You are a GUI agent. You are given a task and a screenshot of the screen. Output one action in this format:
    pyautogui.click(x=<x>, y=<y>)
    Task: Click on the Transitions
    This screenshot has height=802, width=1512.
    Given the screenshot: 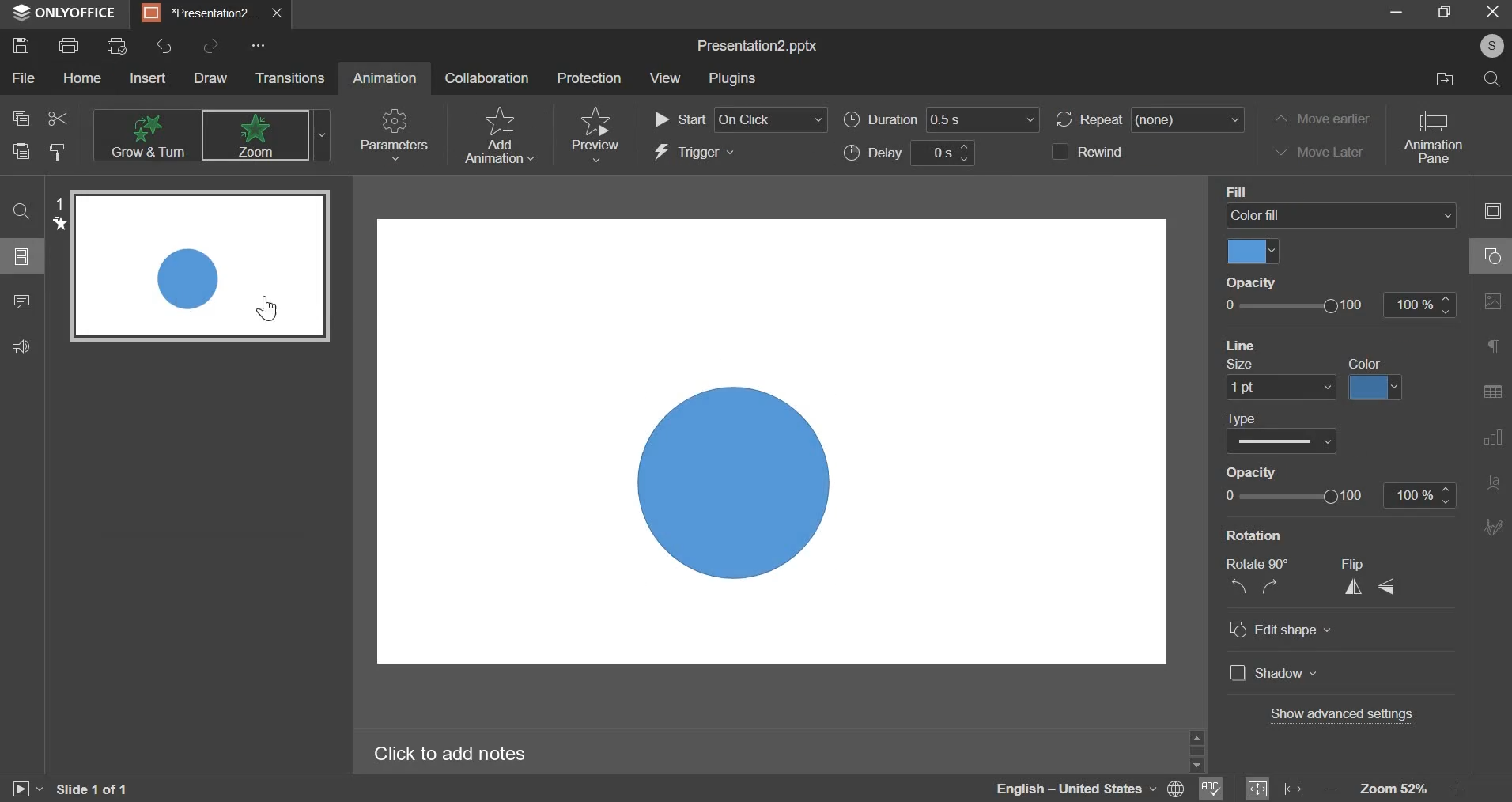 What is the action you would take?
    pyautogui.click(x=295, y=78)
    